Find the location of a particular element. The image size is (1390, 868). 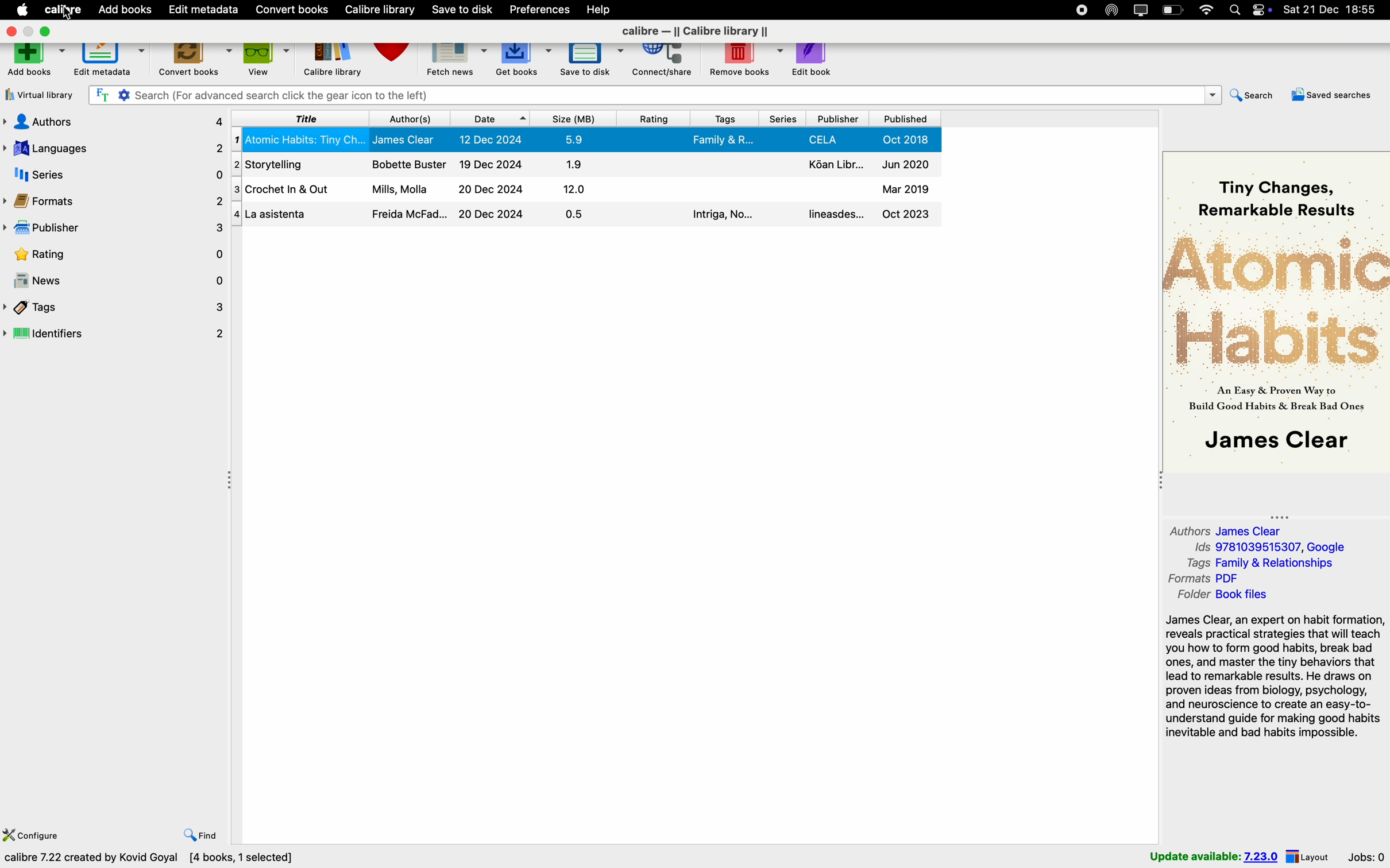

save to disk is located at coordinates (461, 10).